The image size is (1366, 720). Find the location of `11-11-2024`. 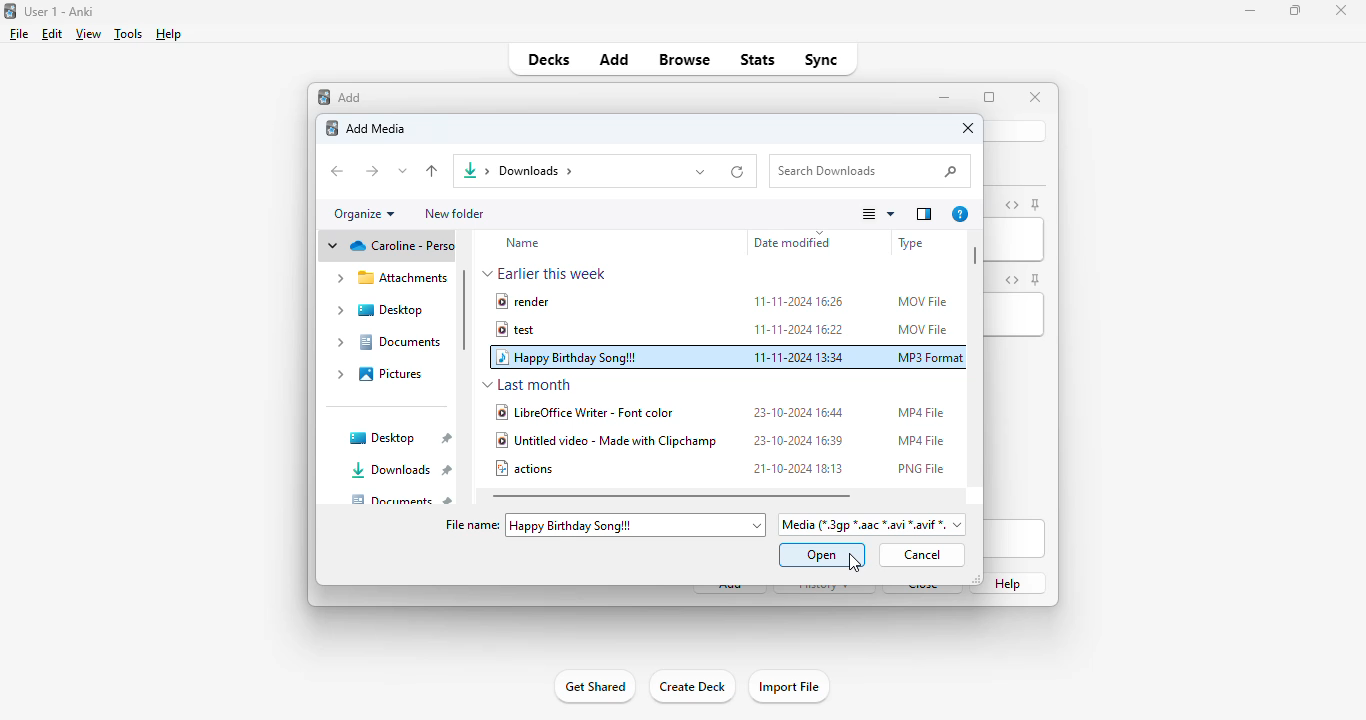

11-11-2024 is located at coordinates (799, 302).